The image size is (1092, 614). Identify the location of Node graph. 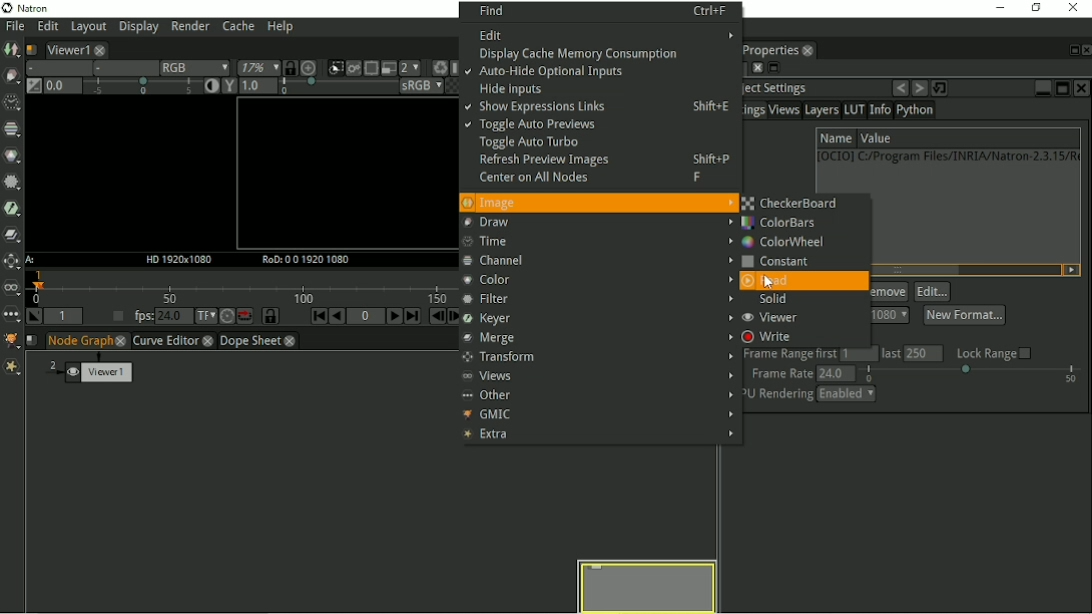
(88, 341).